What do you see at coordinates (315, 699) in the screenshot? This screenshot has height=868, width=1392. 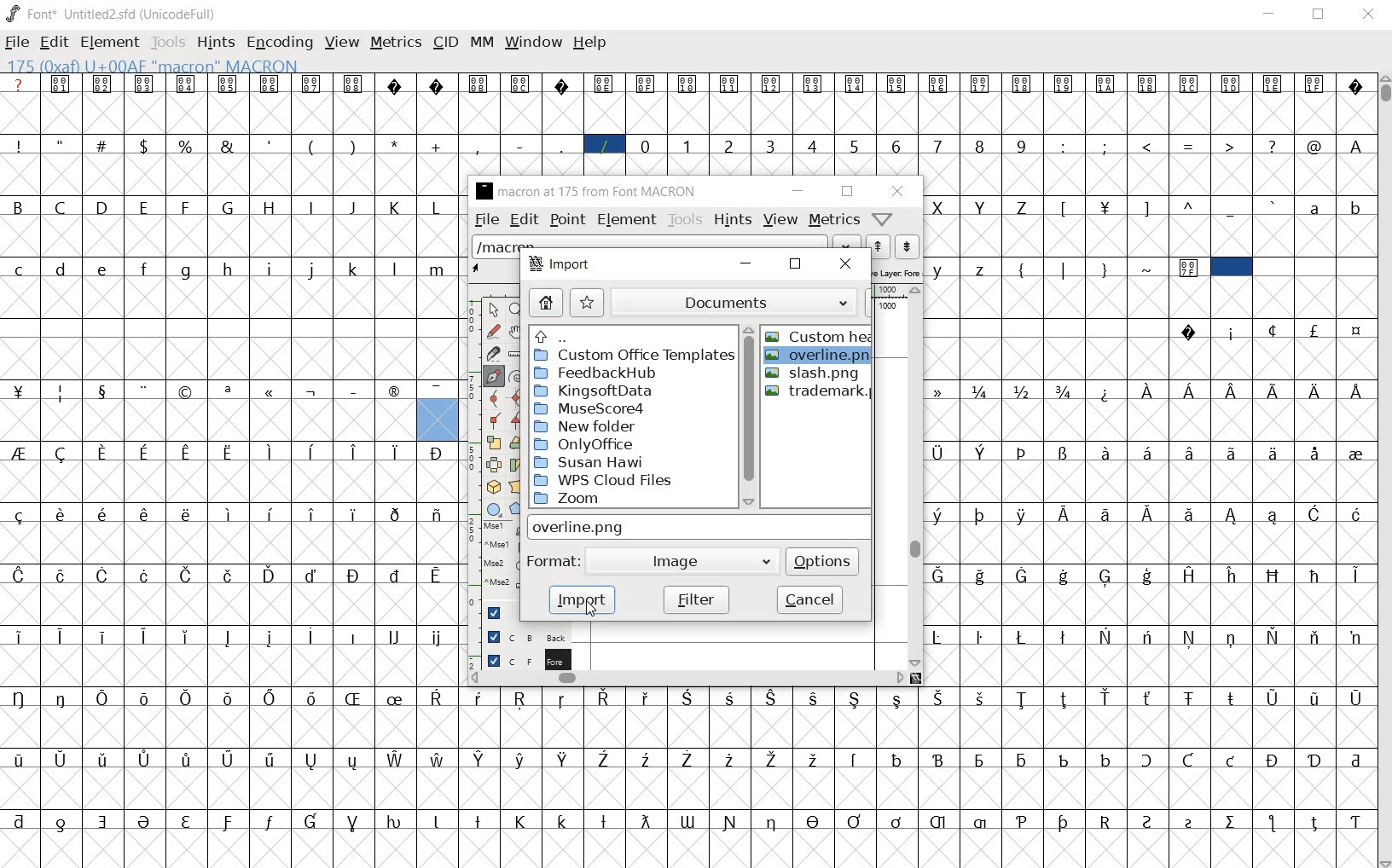 I see `Symbol` at bounding box center [315, 699].